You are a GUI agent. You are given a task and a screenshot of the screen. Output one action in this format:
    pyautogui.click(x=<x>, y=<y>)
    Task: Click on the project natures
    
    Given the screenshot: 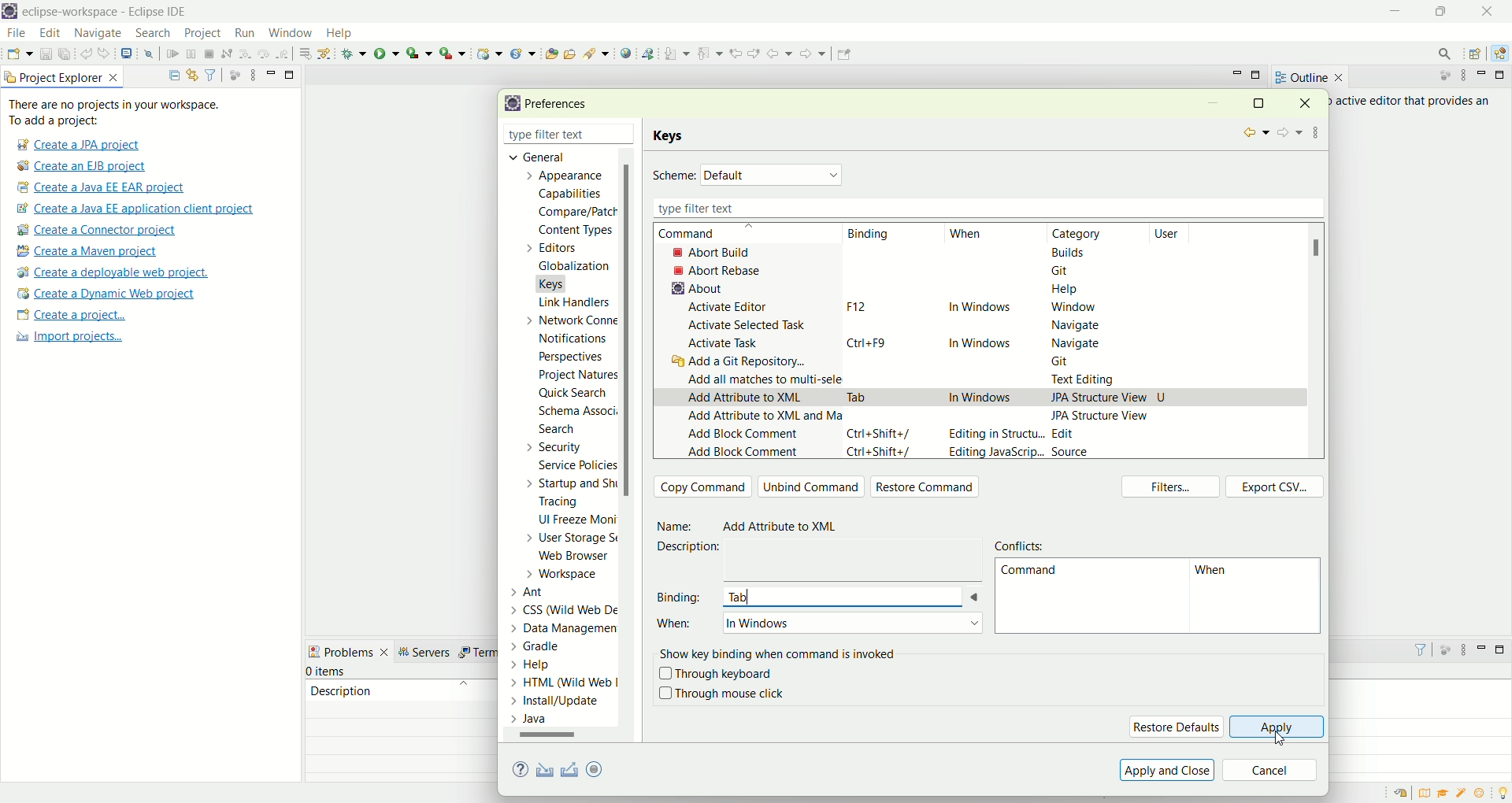 What is the action you would take?
    pyautogui.click(x=575, y=378)
    